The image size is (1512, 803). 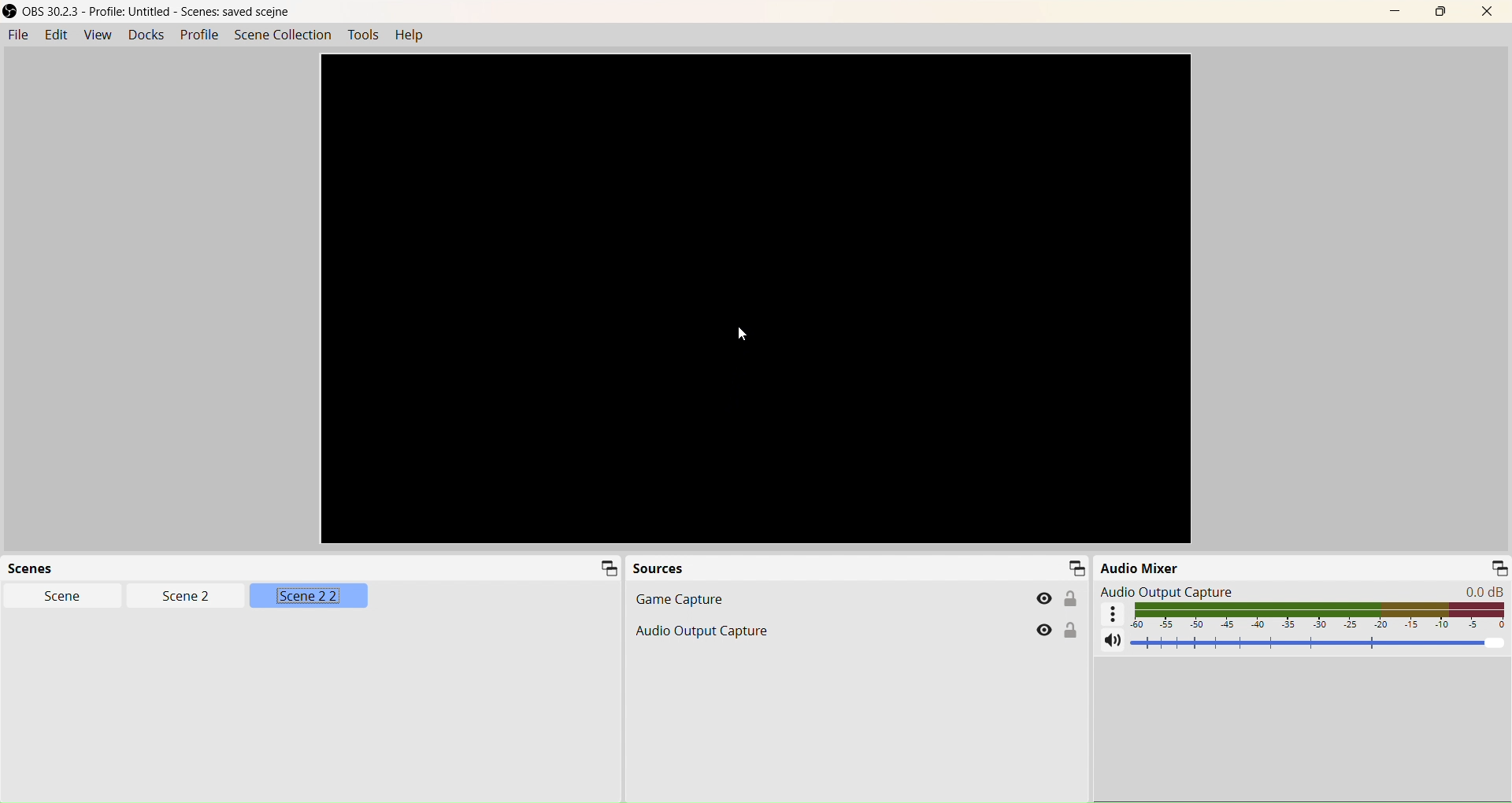 What do you see at coordinates (658, 568) in the screenshot?
I see `Source` at bounding box center [658, 568].